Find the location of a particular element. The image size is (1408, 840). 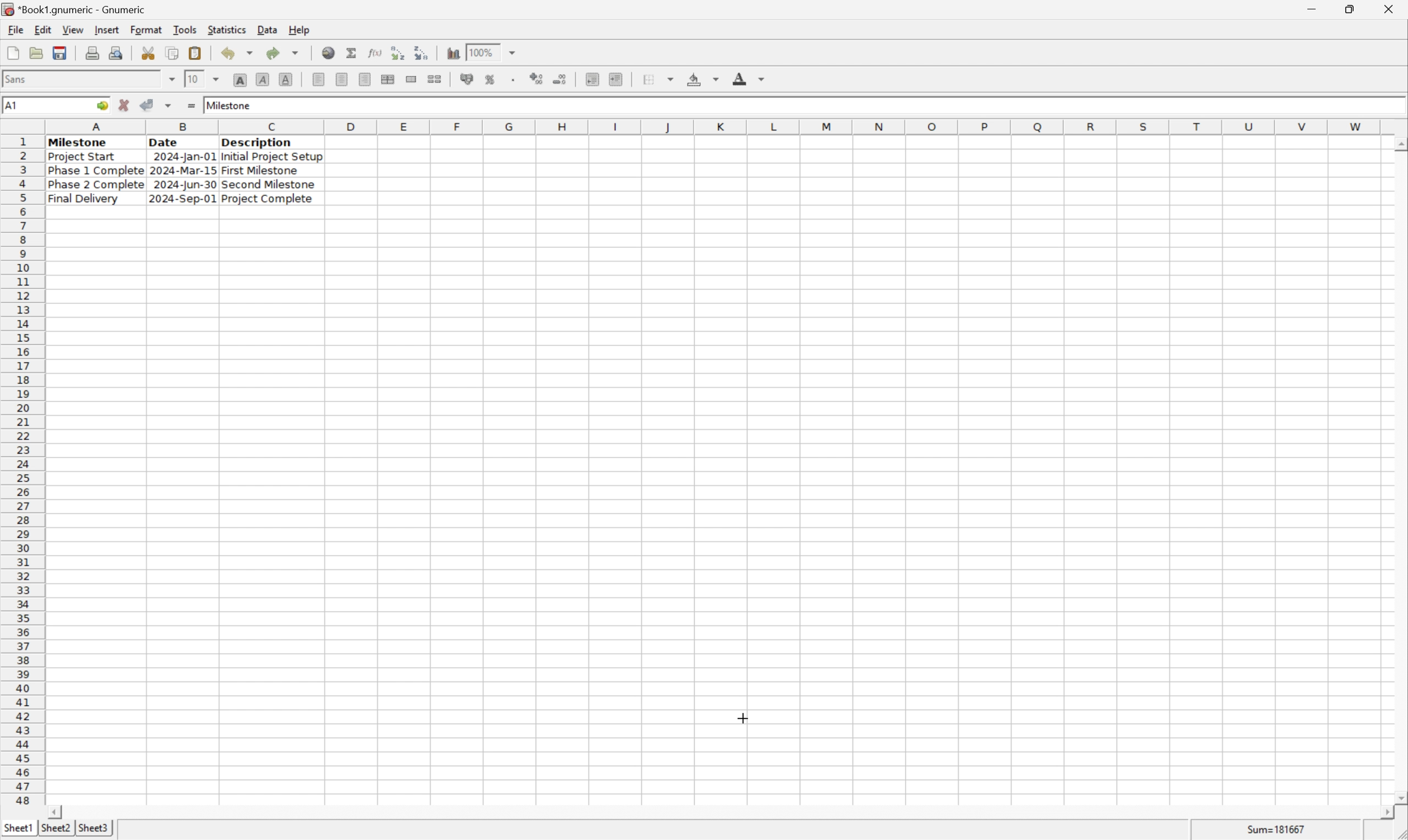

format selection as percentage is located at coordinates (491, 79).